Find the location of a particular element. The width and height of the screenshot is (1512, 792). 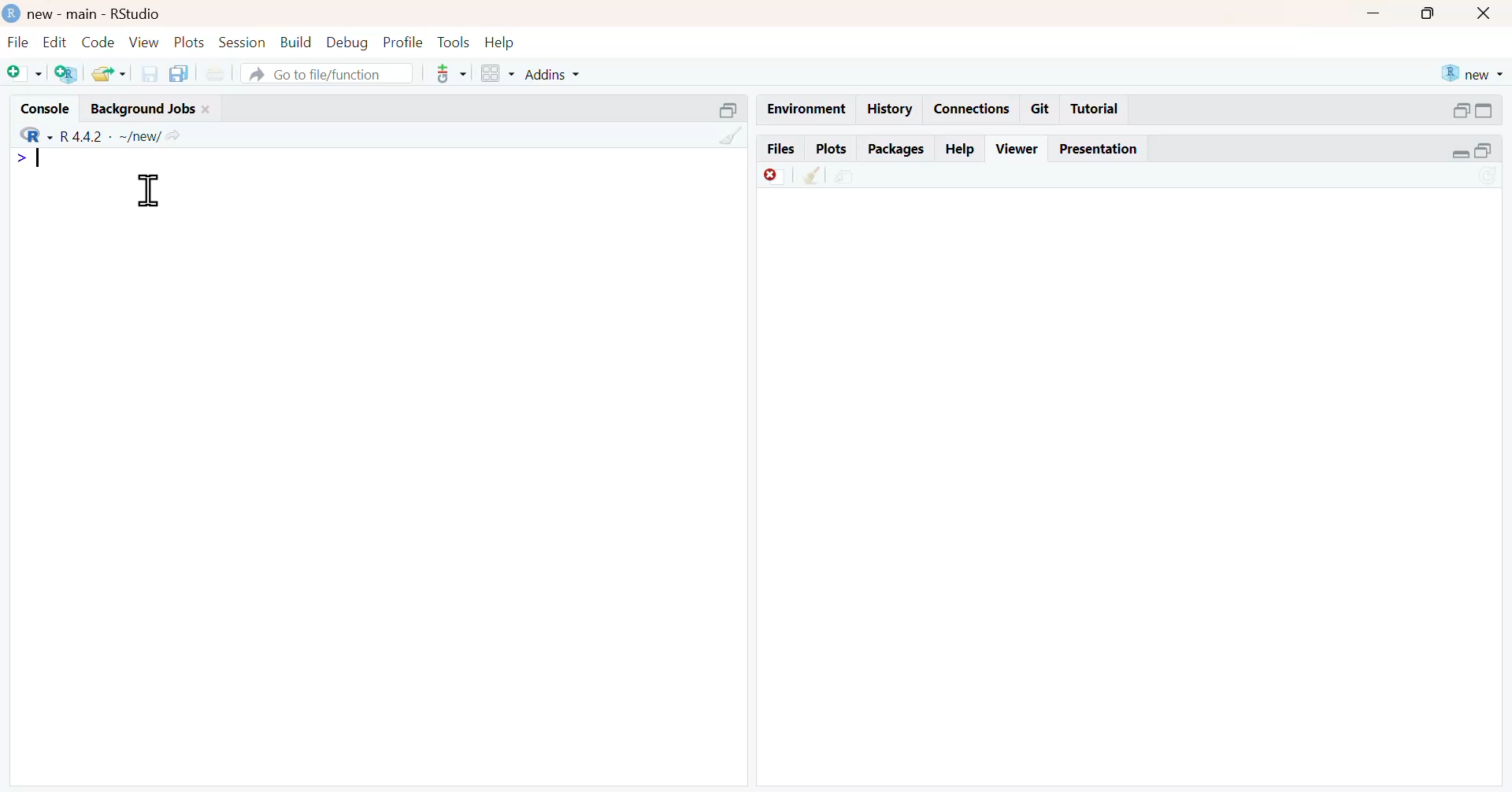

files is located at coordinates (780, 148).